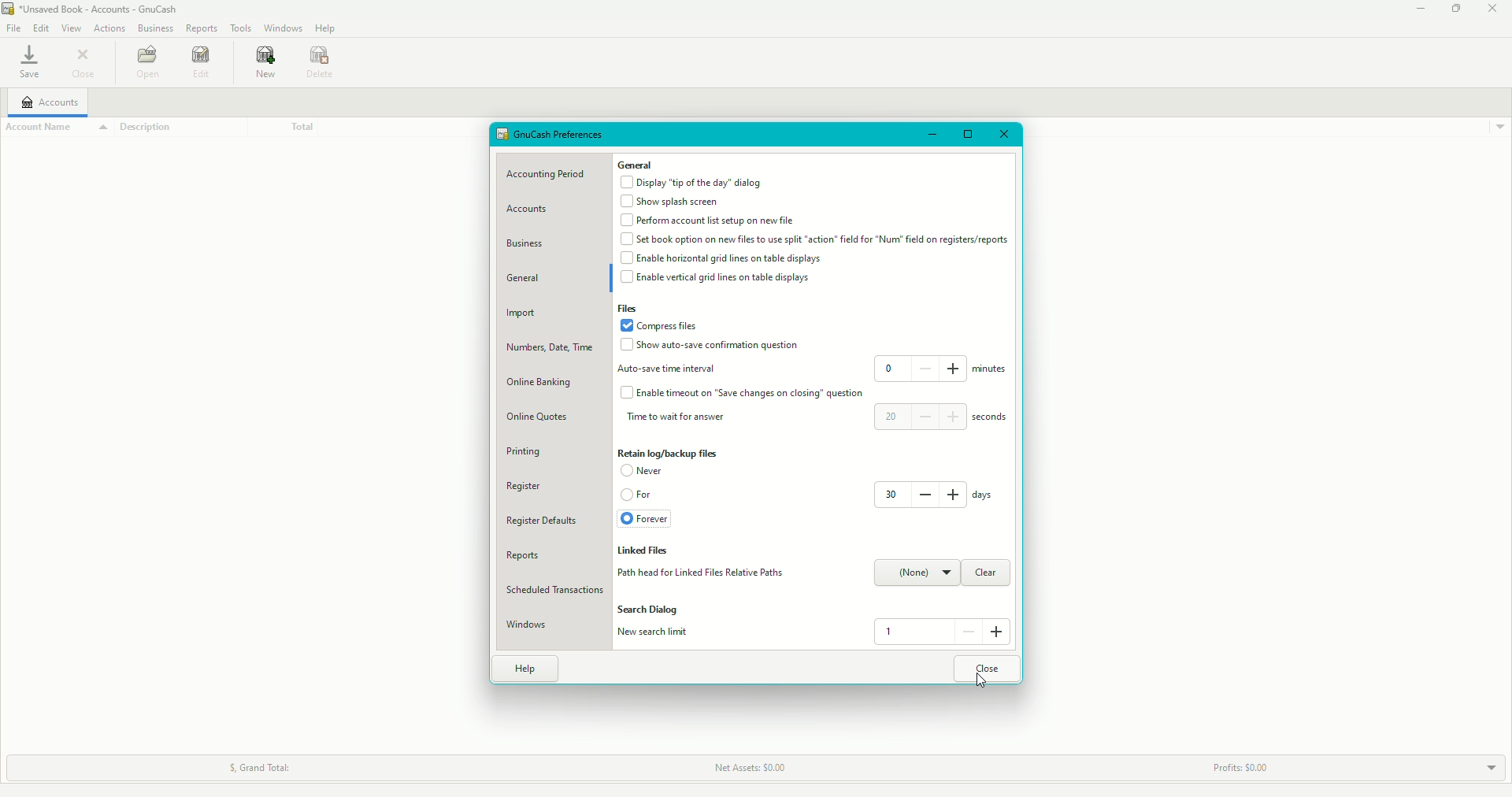 Image resolution: width=1512 pixels, height=797 pixels. Describe the element at coordinates (994, 418) in the screenshot. I see `seconds` at that location.